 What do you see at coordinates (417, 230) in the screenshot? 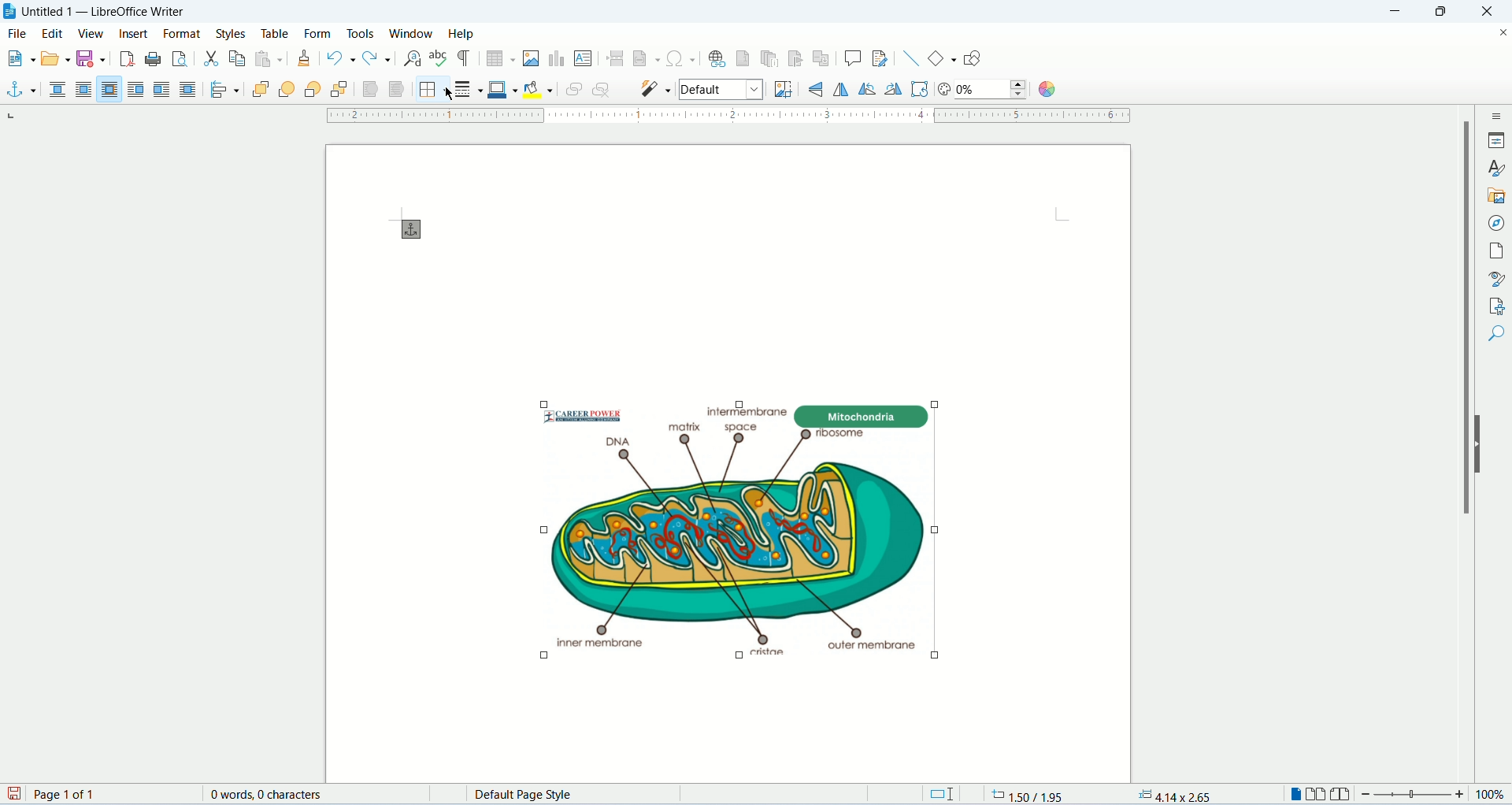
I see `anchor` at bounding box center [417, 230].